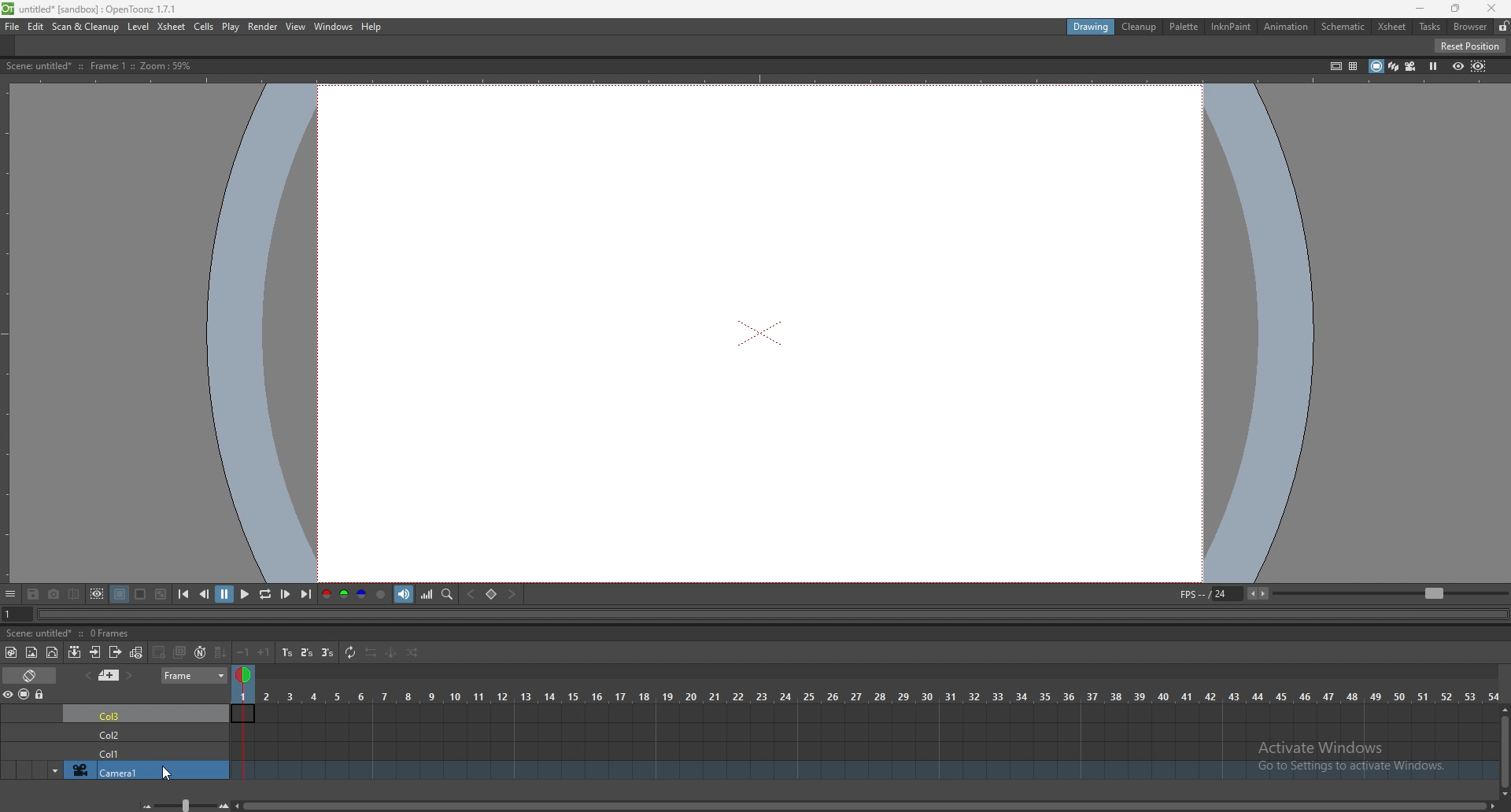 The height and width of the screenshot is (812, 1511). Describe the element at coordinates (244, 595) in the screenshot. I see `play` at that location.